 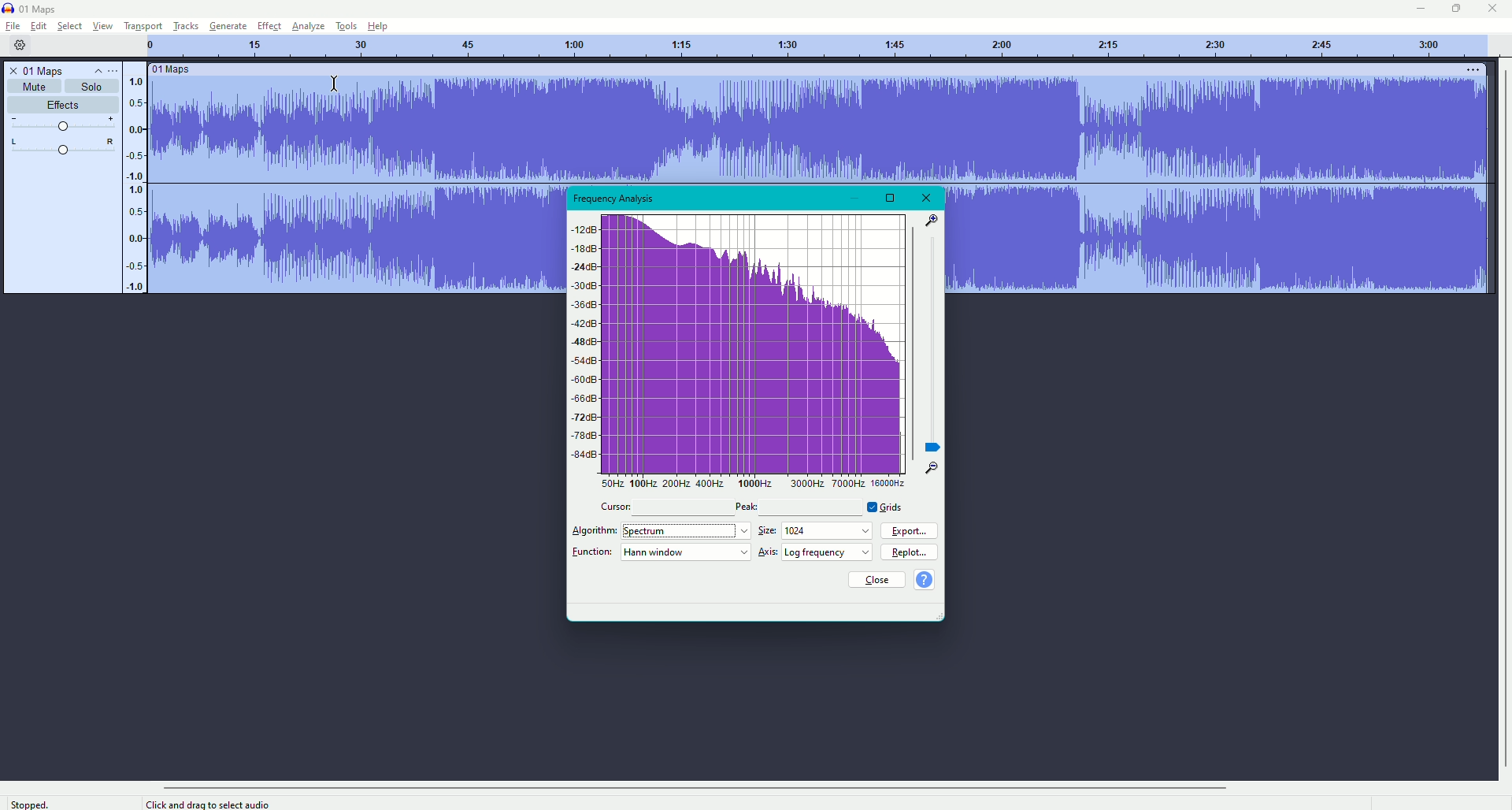 What do you see at coordinates (1217, 180) in the screenshot?
I see `sound track` at bounding box center [1217, 180].